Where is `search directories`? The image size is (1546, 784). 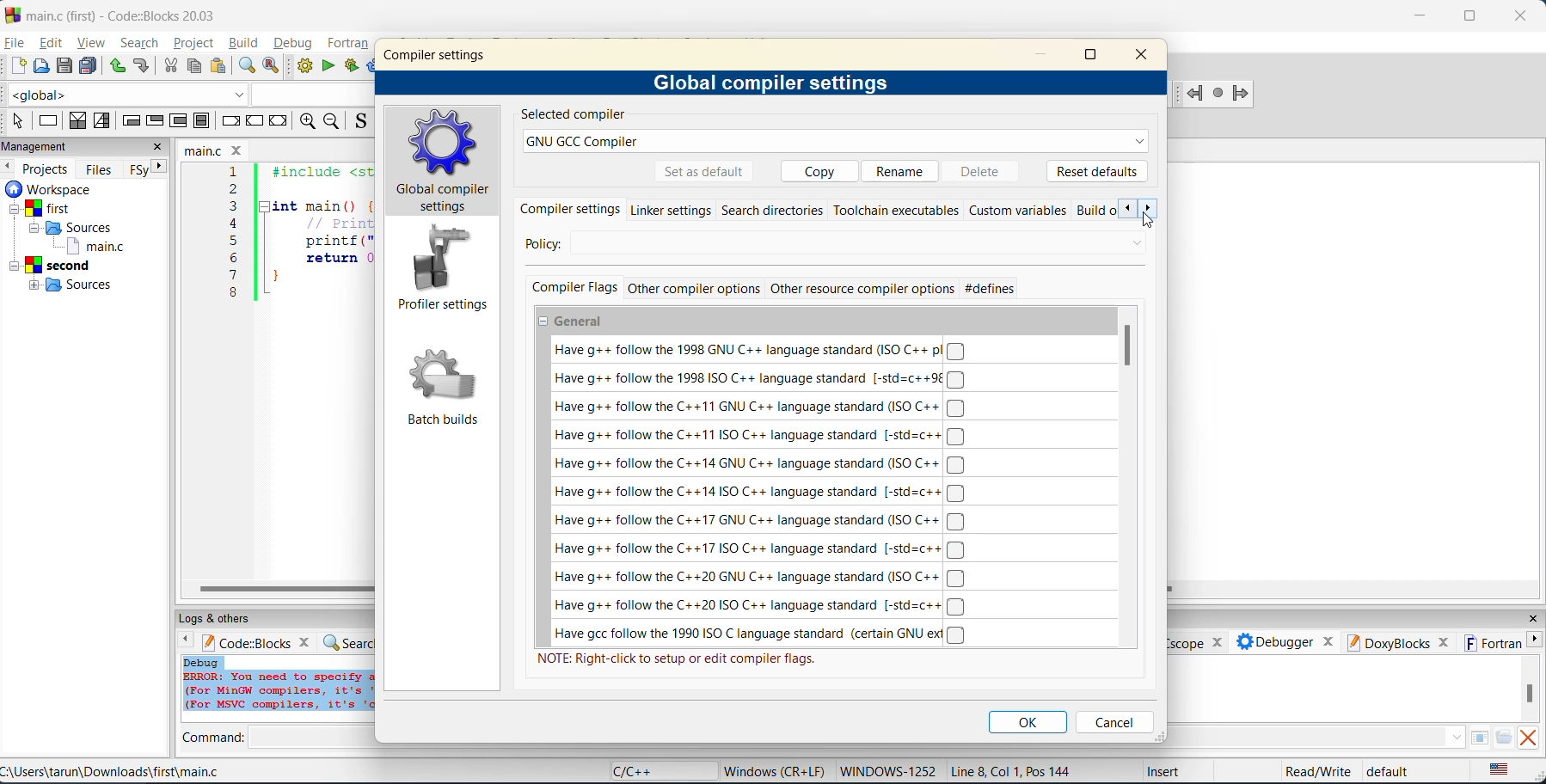 search directories is located at coordinates (772, 210).